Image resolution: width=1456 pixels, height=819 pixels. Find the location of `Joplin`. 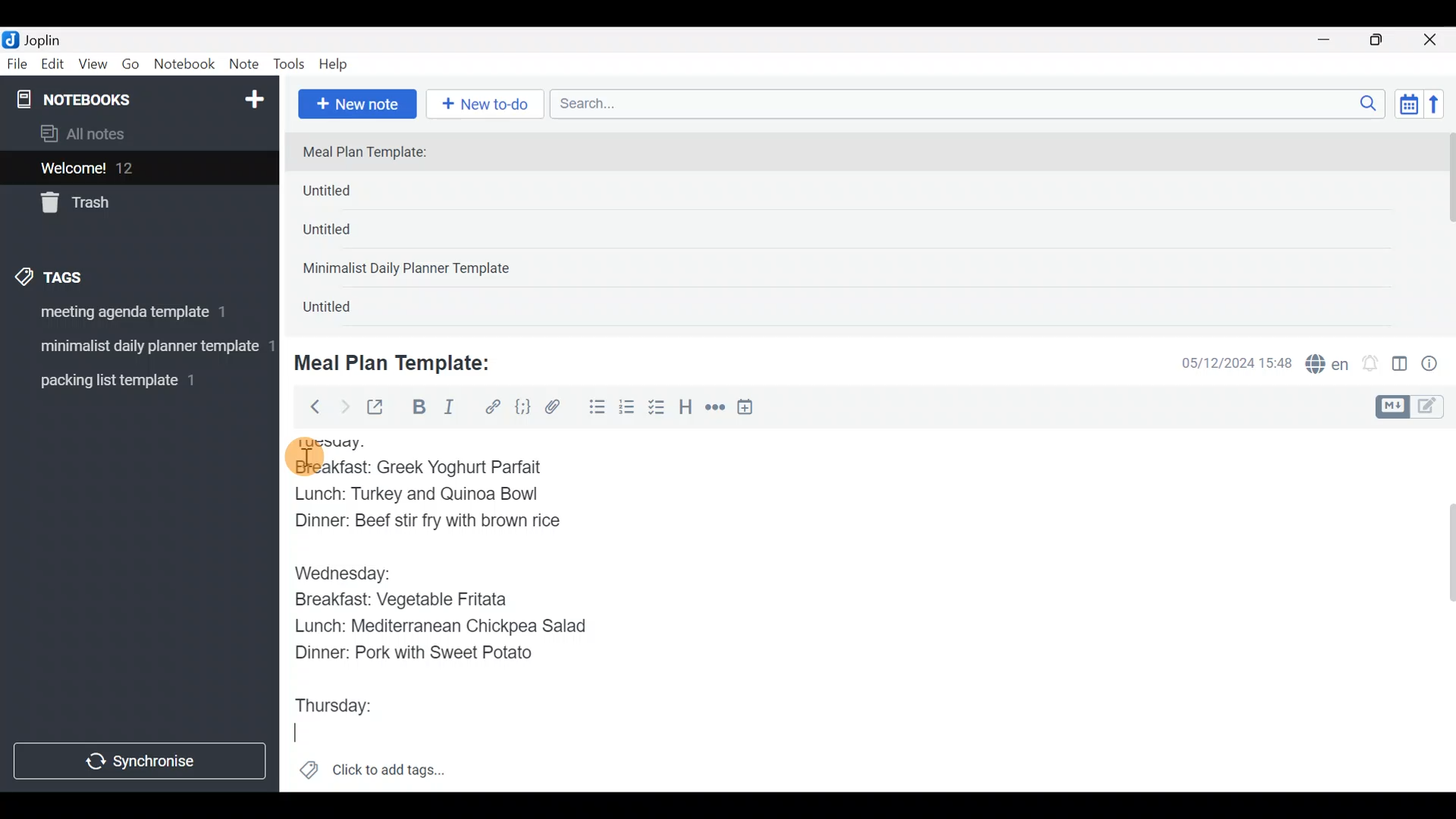

Joplin is located at coordinates (52, 38).